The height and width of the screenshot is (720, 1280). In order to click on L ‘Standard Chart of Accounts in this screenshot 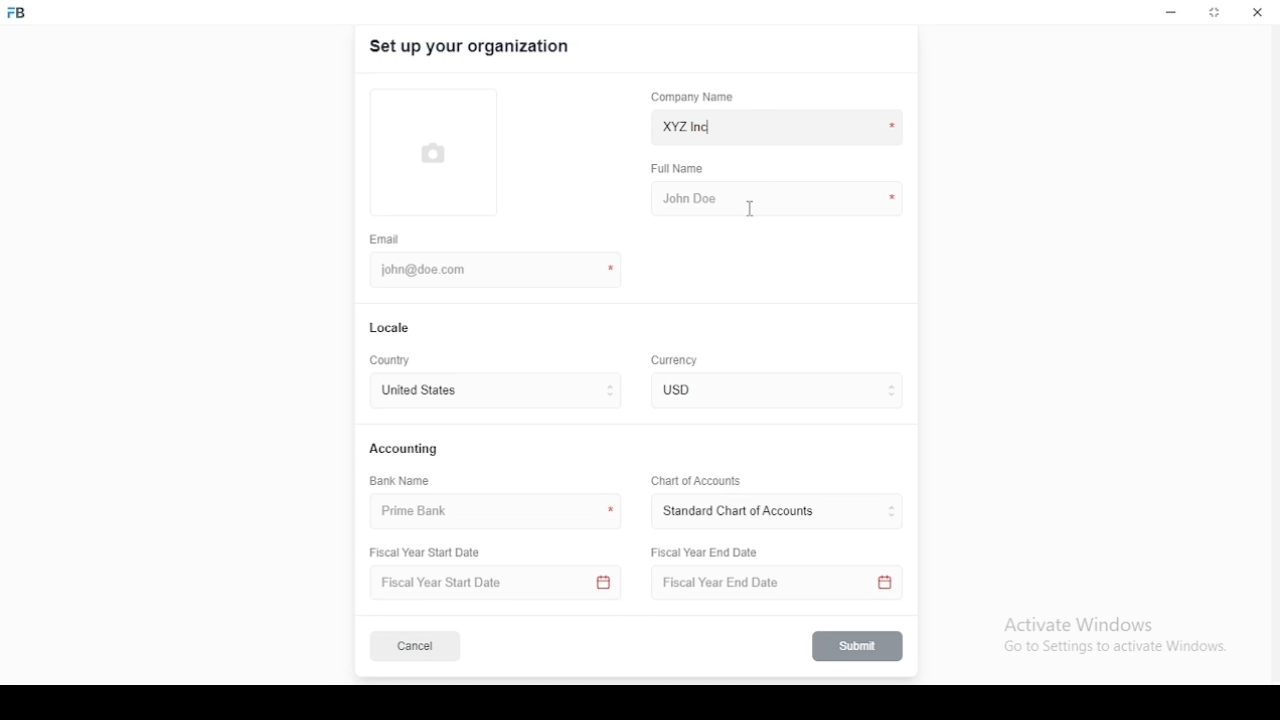, I will do `click(737, 512)`.